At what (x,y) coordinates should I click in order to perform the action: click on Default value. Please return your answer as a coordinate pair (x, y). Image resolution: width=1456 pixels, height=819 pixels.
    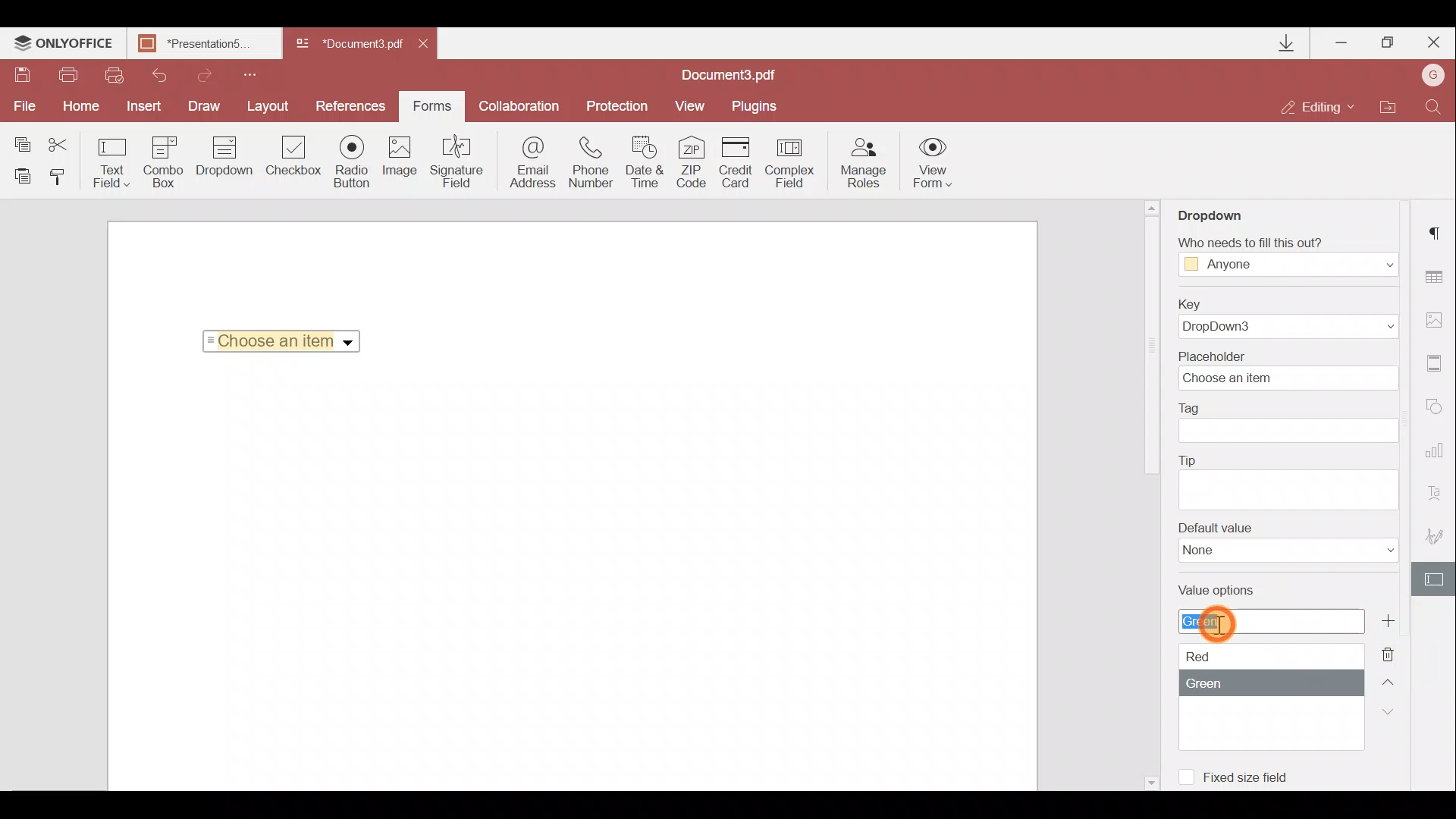
    Looking at the image, I should click on (1282, 547).